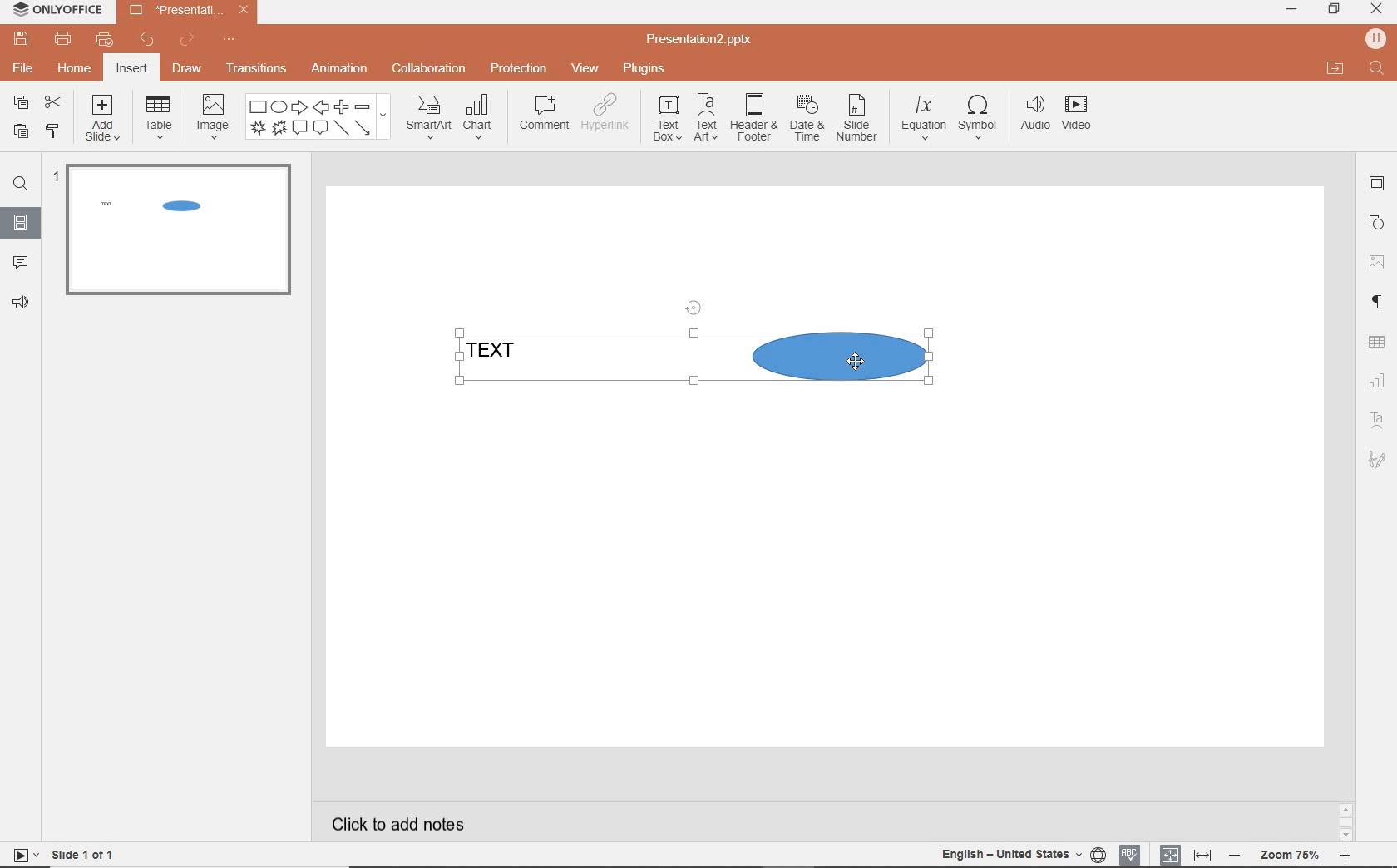  Describe the element at coordinates (1377, 185) in the screenshot. I see `SLIDE SETTINGS` at that location.